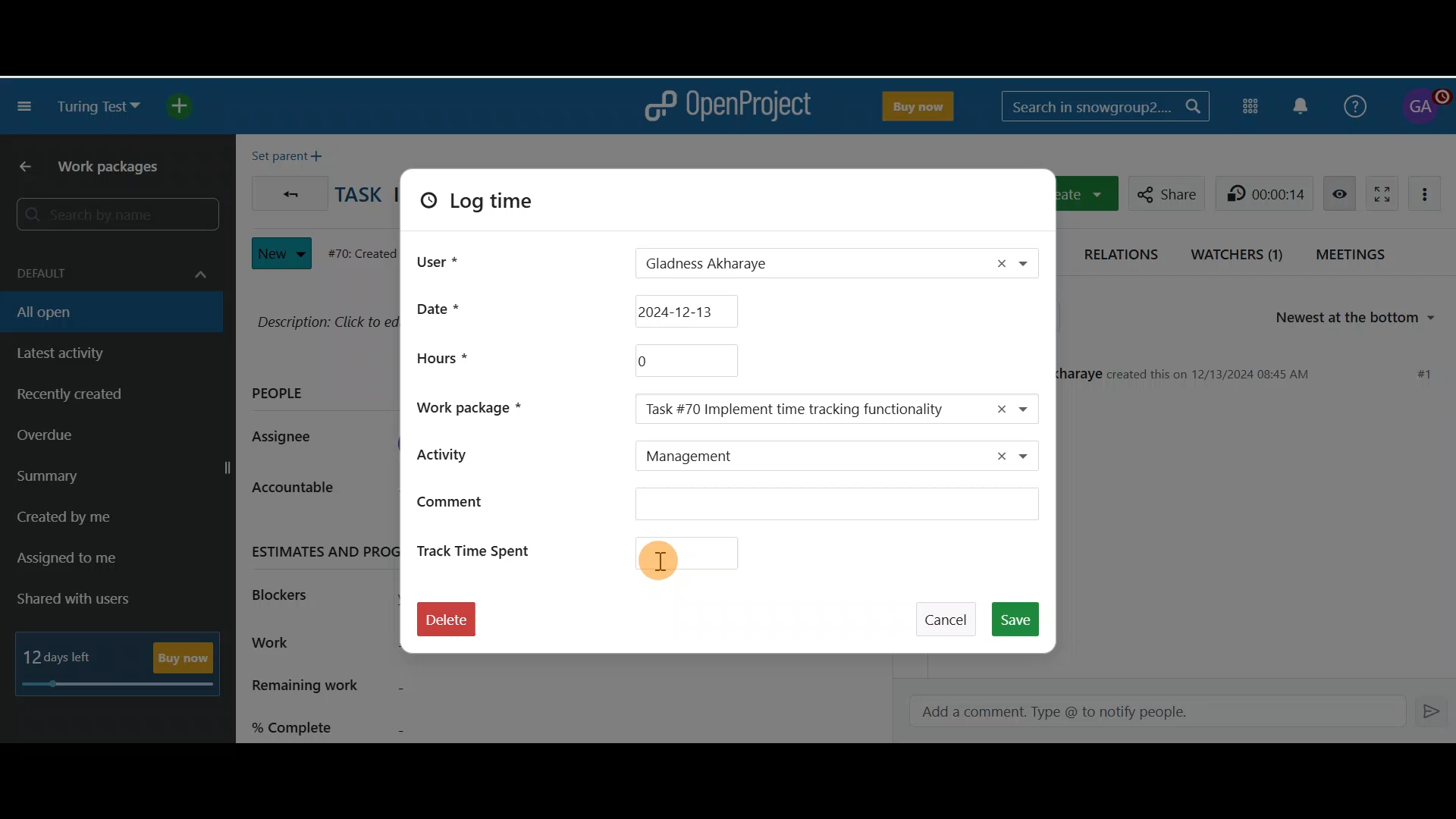  What do you see at coordinates (324, 320) in the screenshot?
I see `Description: Click to edit...` at bounding box center [324, 320].